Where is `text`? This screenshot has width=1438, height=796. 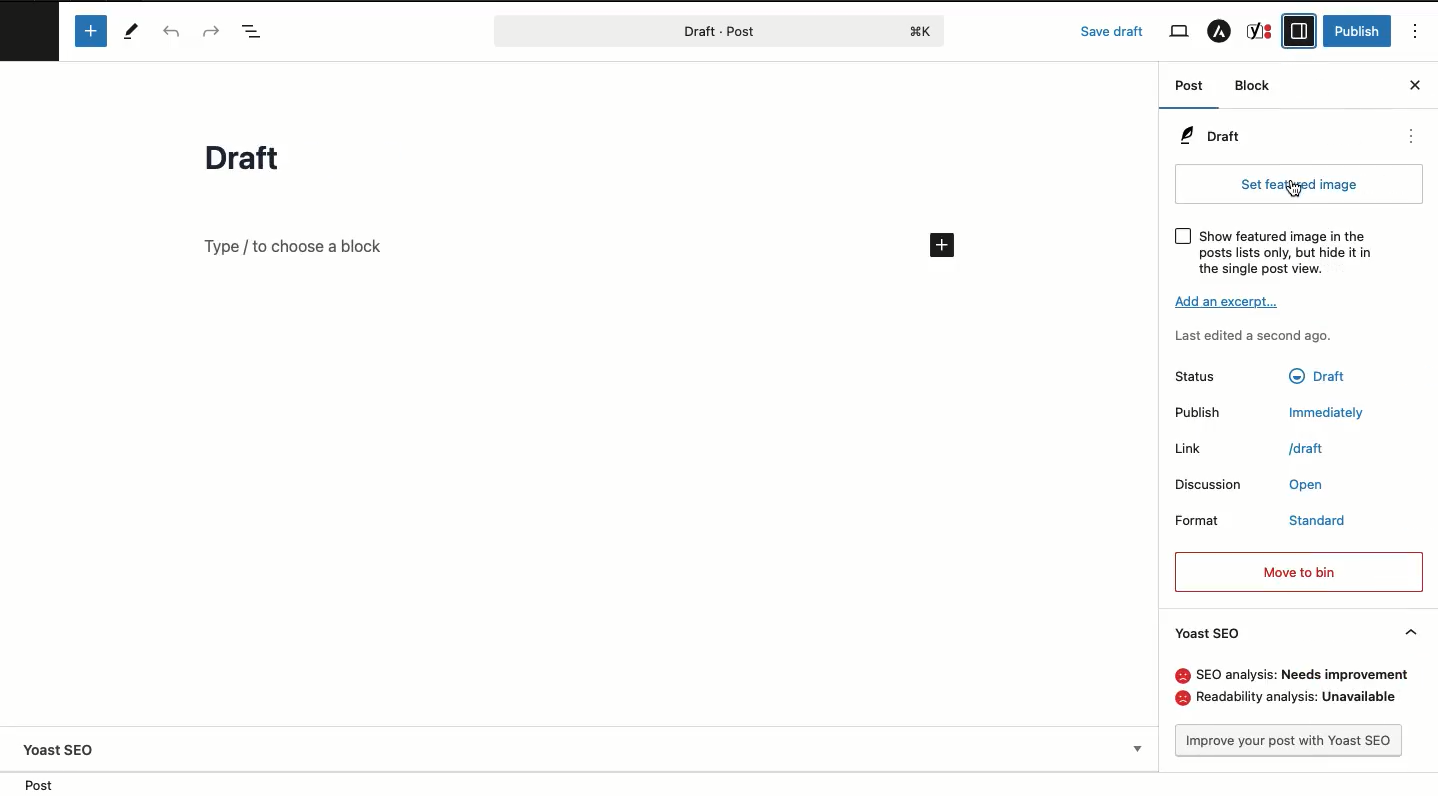
text is located at coordinates (1321, 521).